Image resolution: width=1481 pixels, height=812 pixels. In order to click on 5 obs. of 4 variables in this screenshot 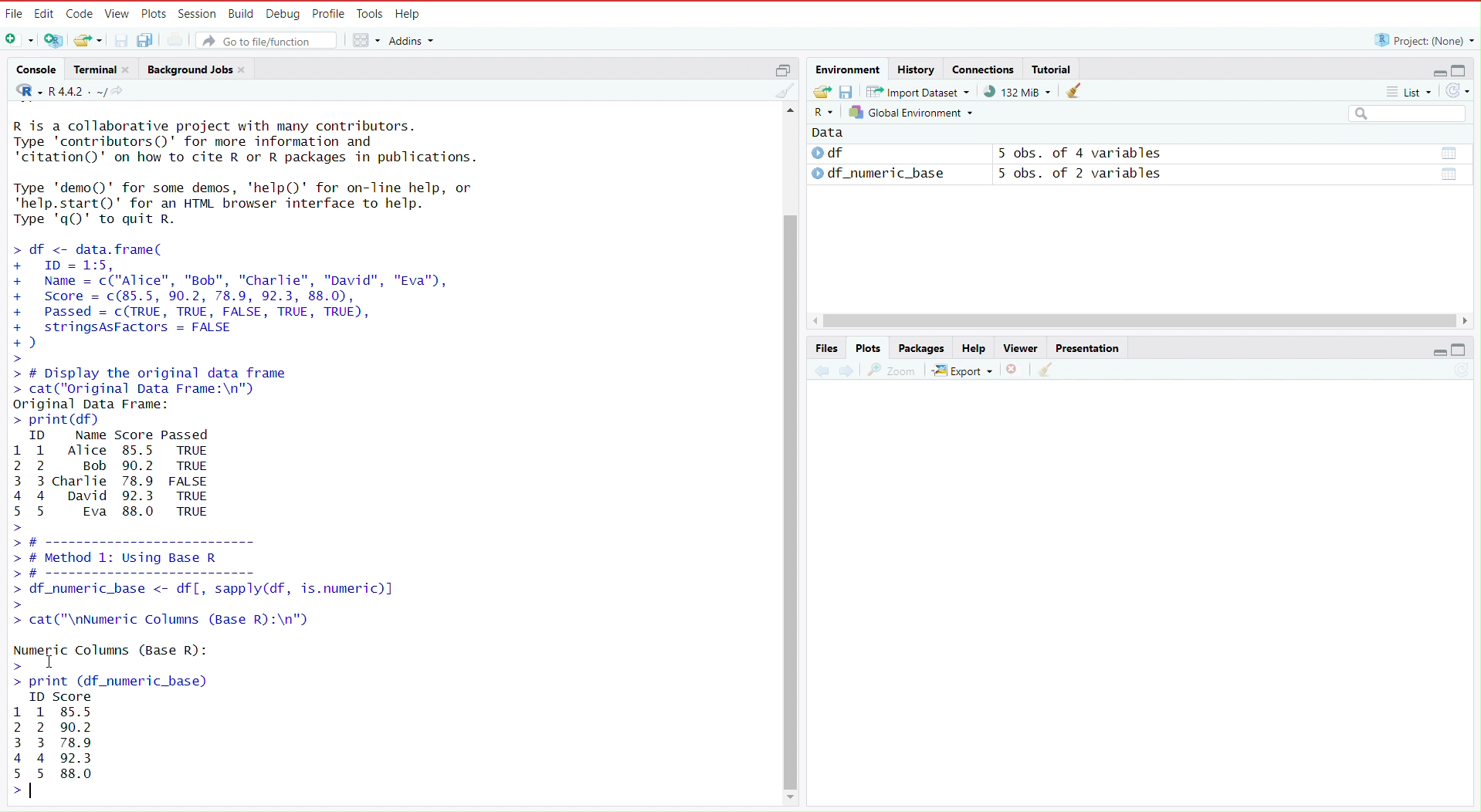, I will do `click(1079, 153)`.